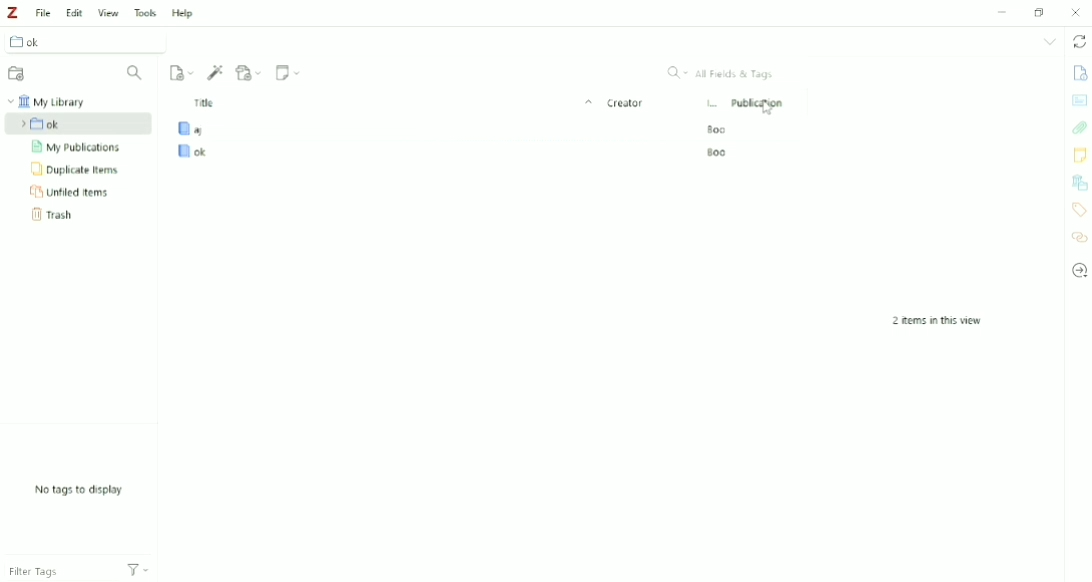  What do you see at coordinates (1080, 101) in the screenshot?
I see `Abstract` at bounding box center [1080, 101].